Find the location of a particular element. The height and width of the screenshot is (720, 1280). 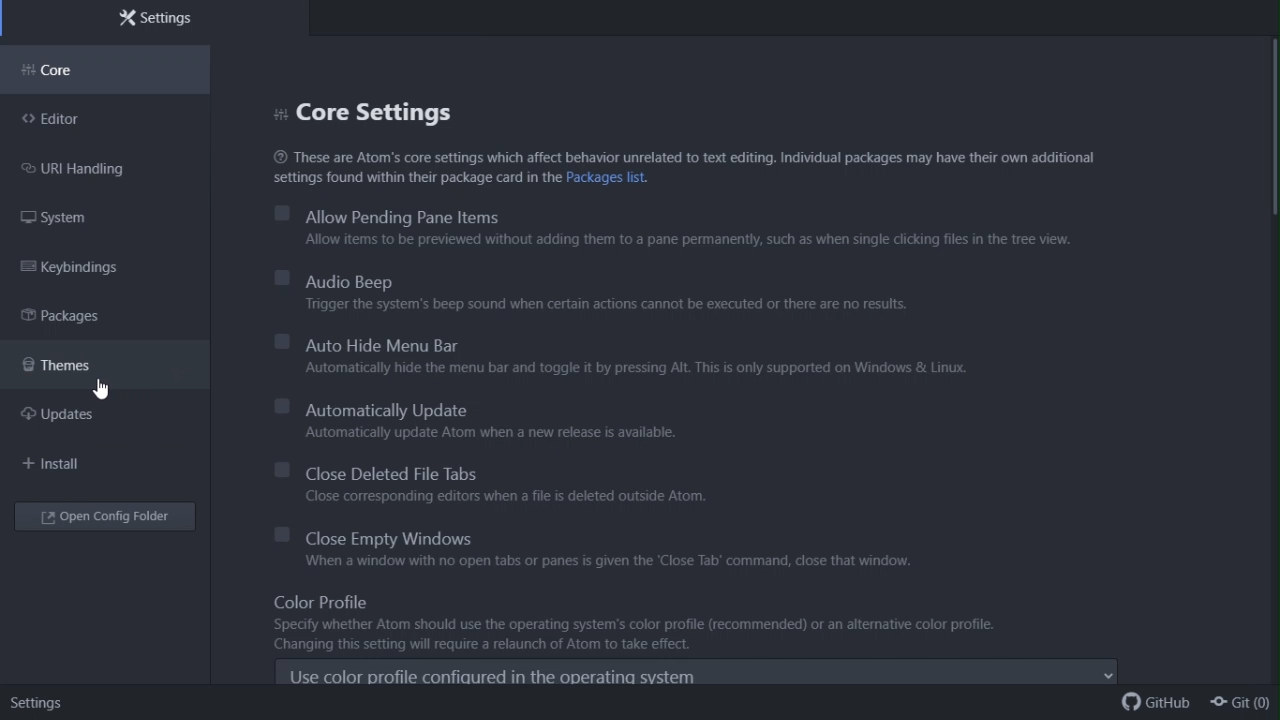

settings is located at coordinates (45, 701).